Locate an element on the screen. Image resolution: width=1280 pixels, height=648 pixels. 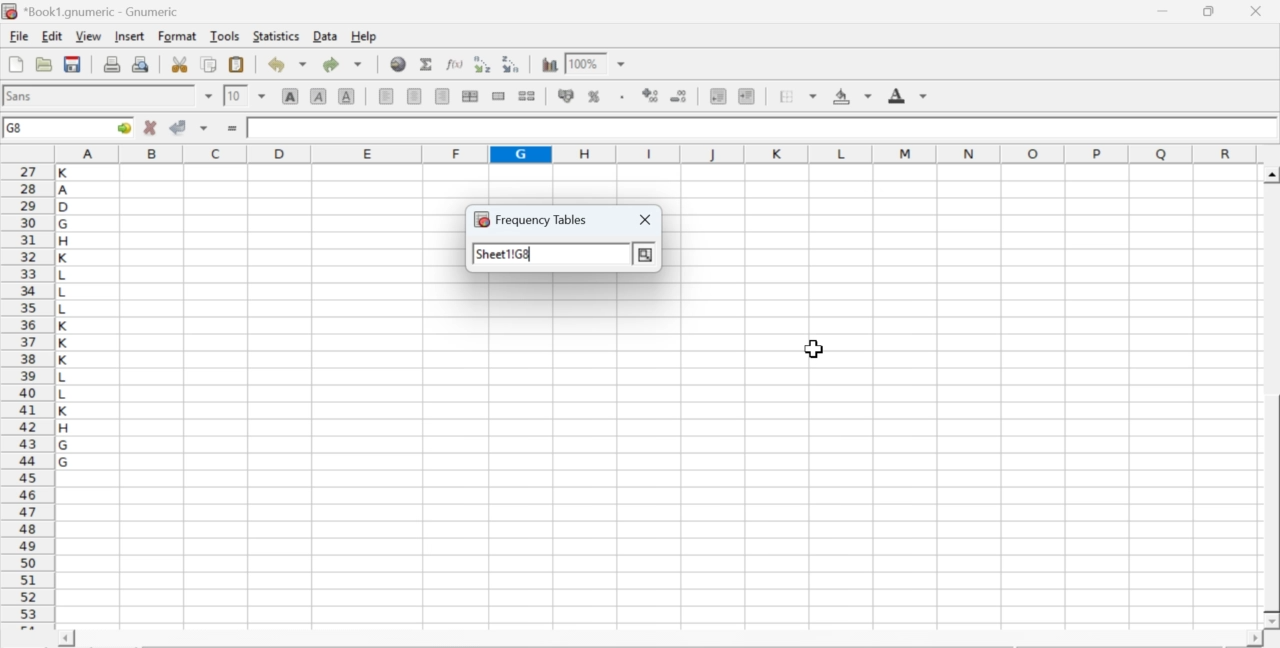
undo is located at coordinates (286, 65).